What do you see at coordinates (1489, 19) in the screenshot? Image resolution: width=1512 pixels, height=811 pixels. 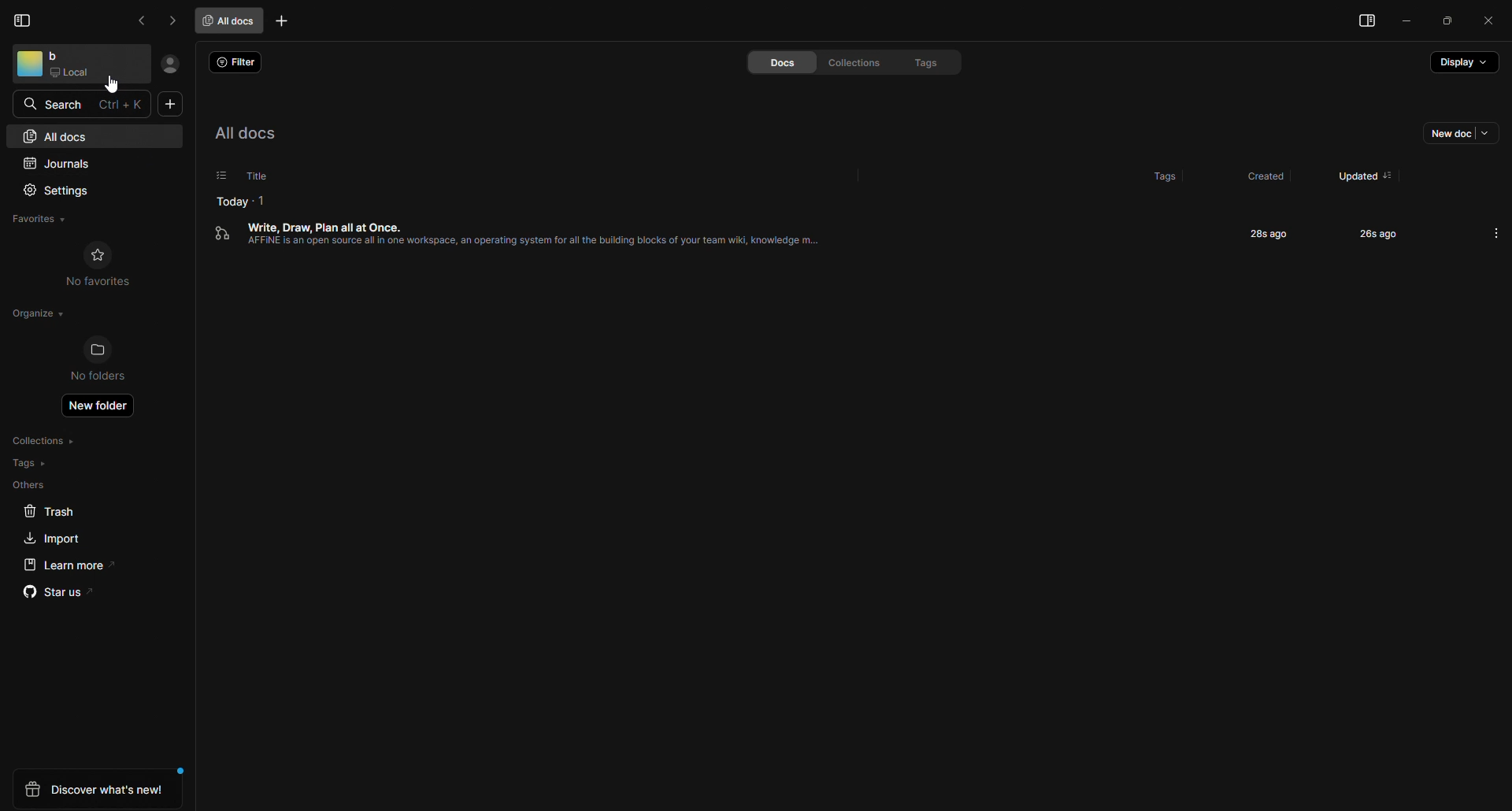 I see `close` at bounding box center [1489, 19].